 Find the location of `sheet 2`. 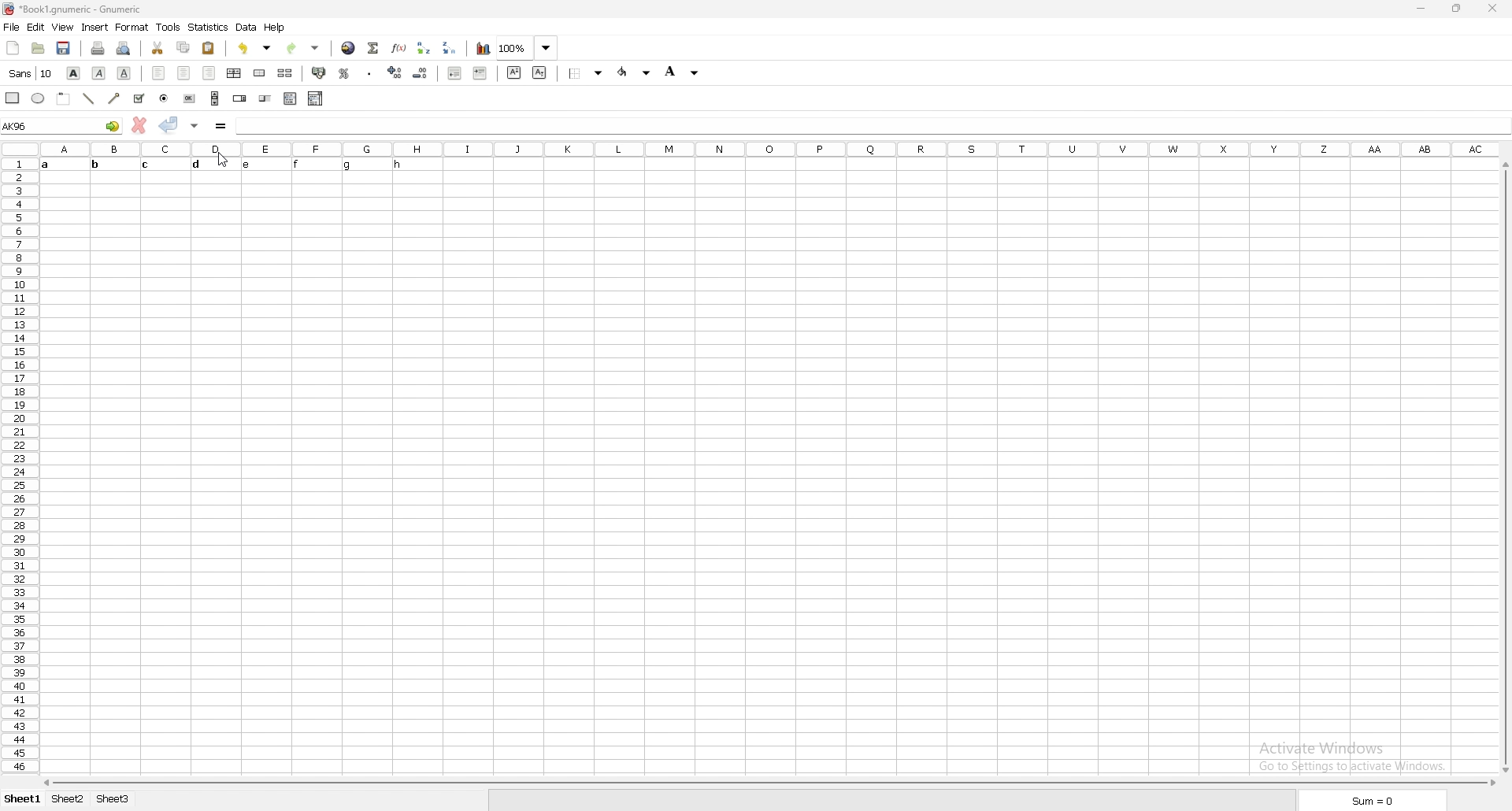

sheet 2 is located at coordinates (67, 798).